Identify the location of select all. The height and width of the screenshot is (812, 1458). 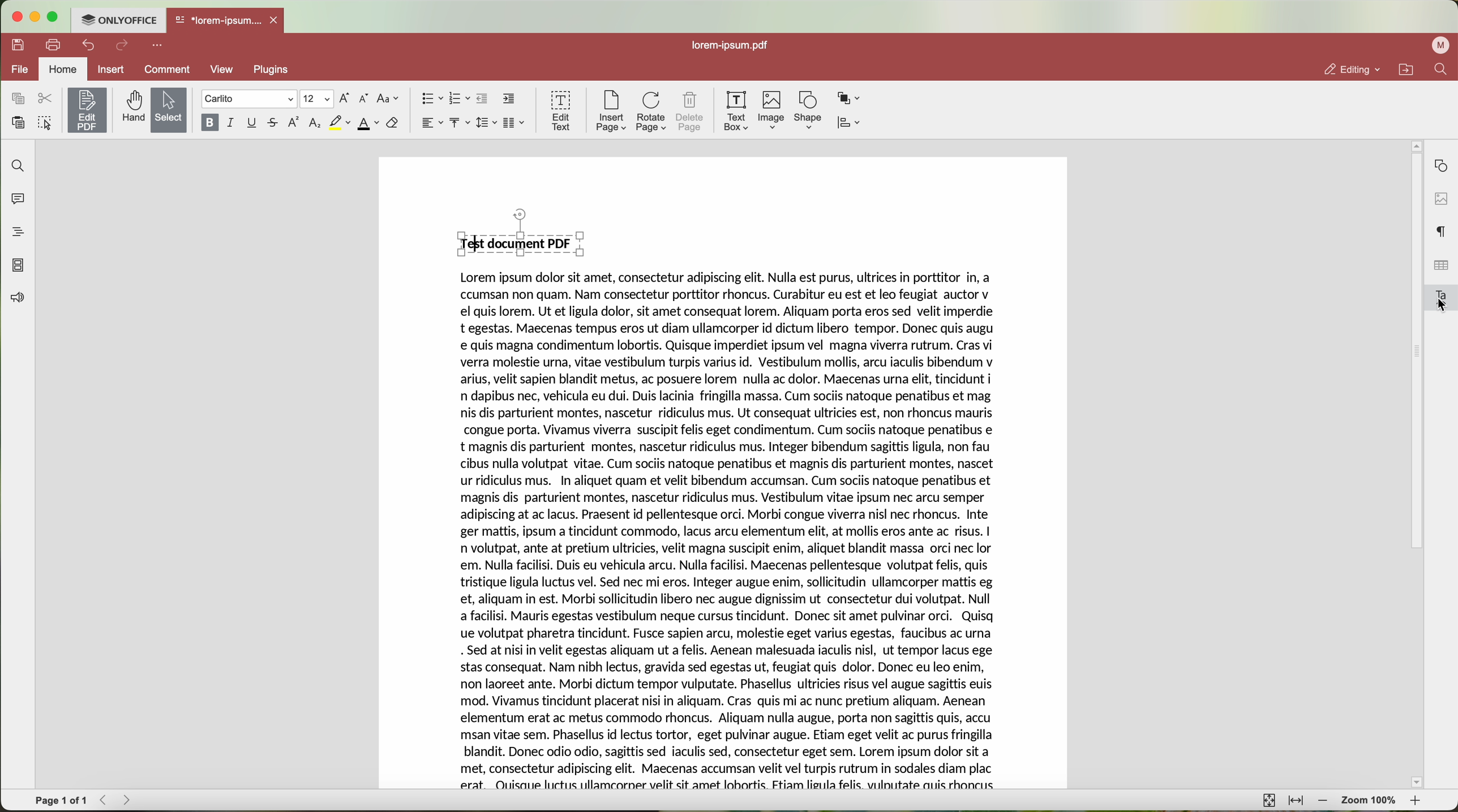
(45, 122).